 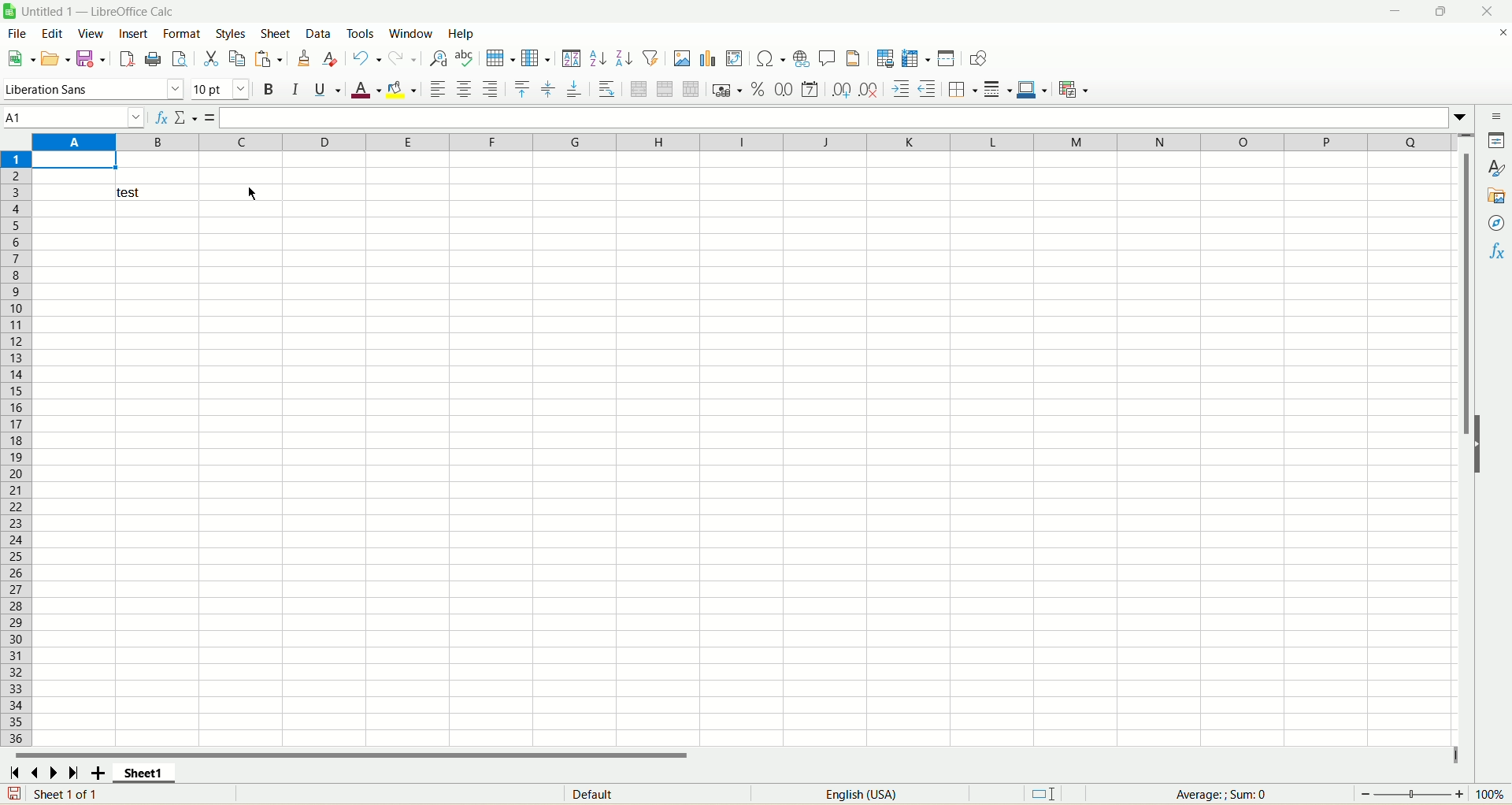 What do you see at coordinates (91, 34) in the screenshot?
I see `view` at bounding box center [91, 34].